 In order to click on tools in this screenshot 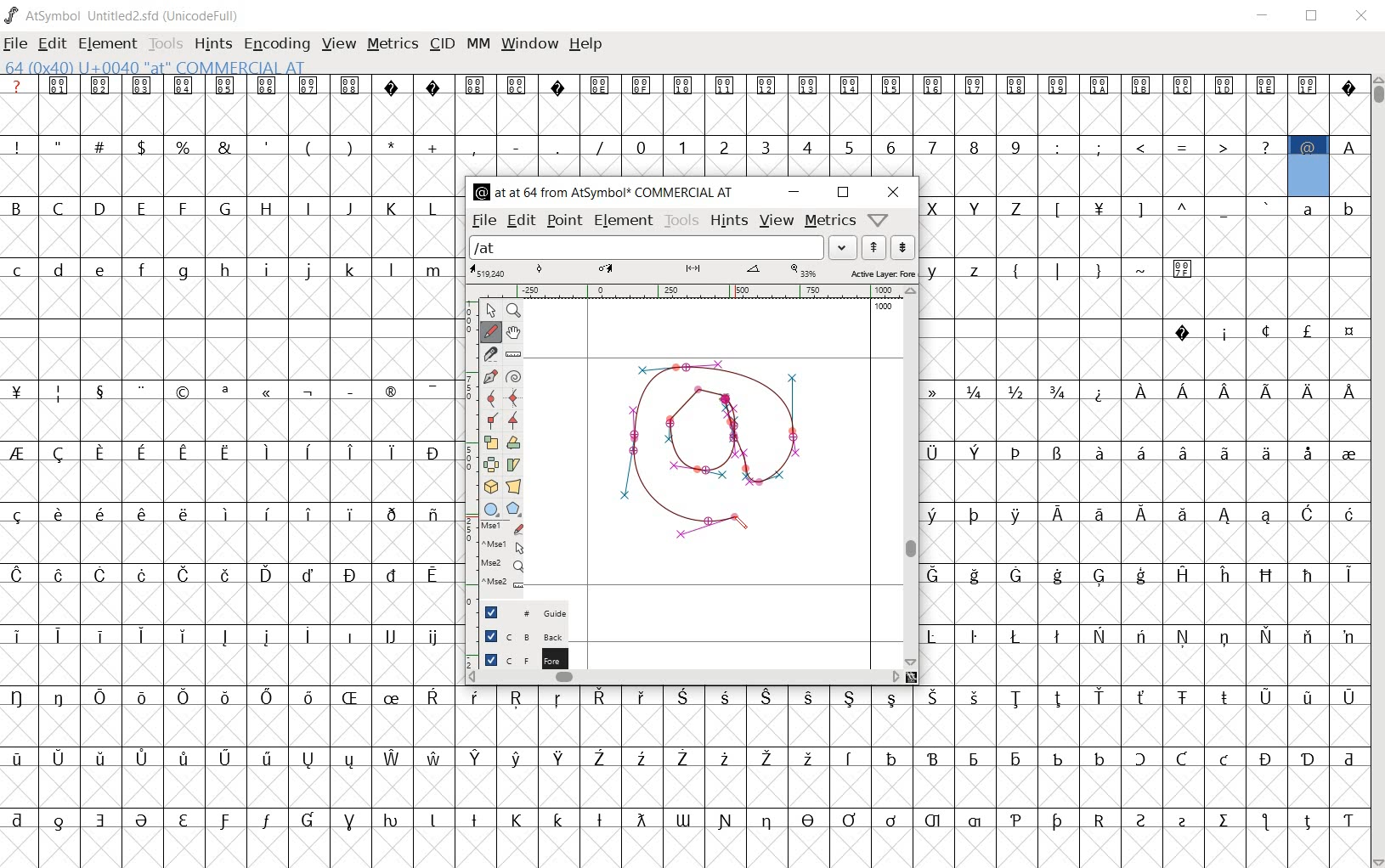, I will do `click(681, 221)`.